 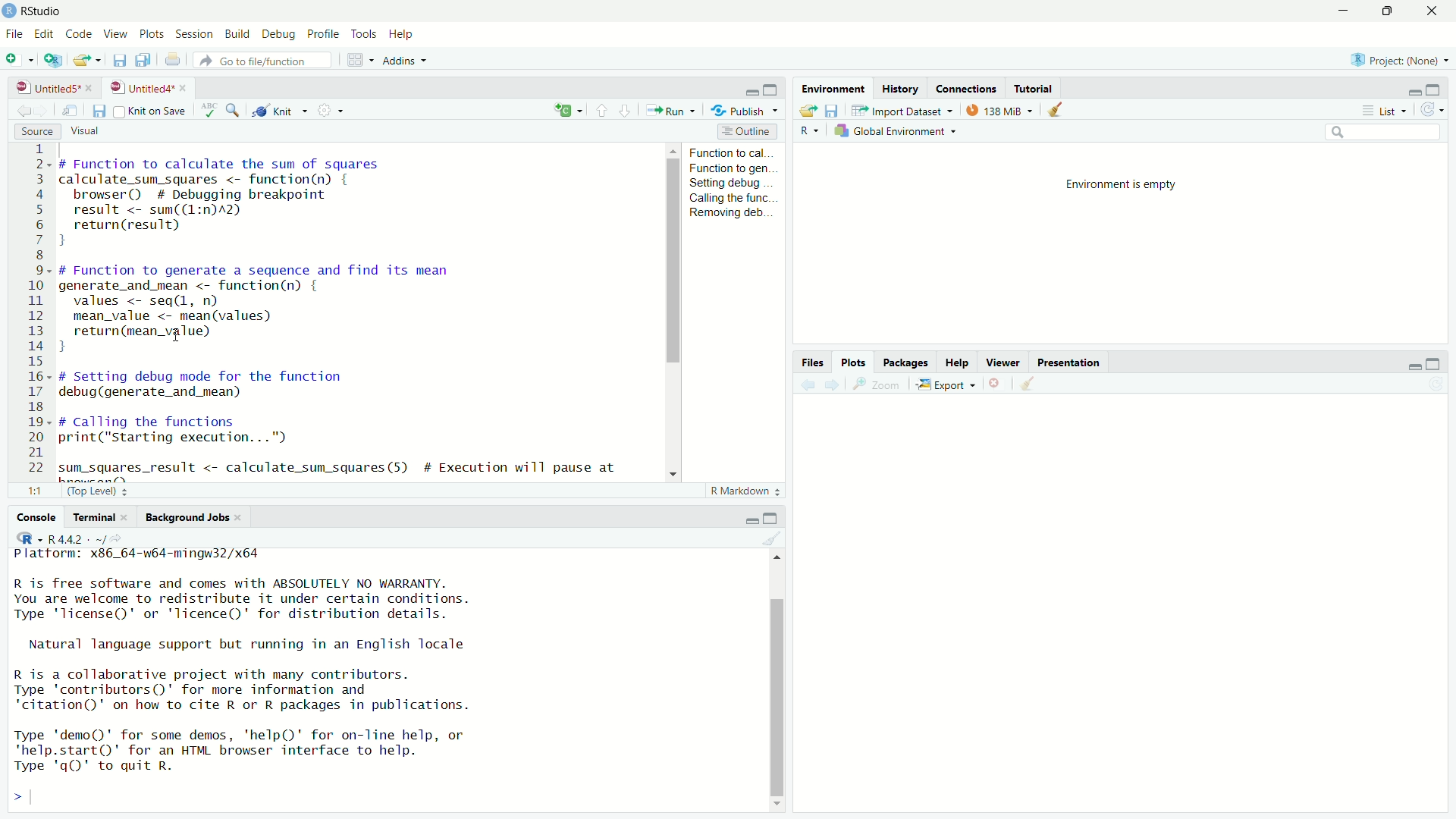 I want to click on environment, so click(x=832, y=86).